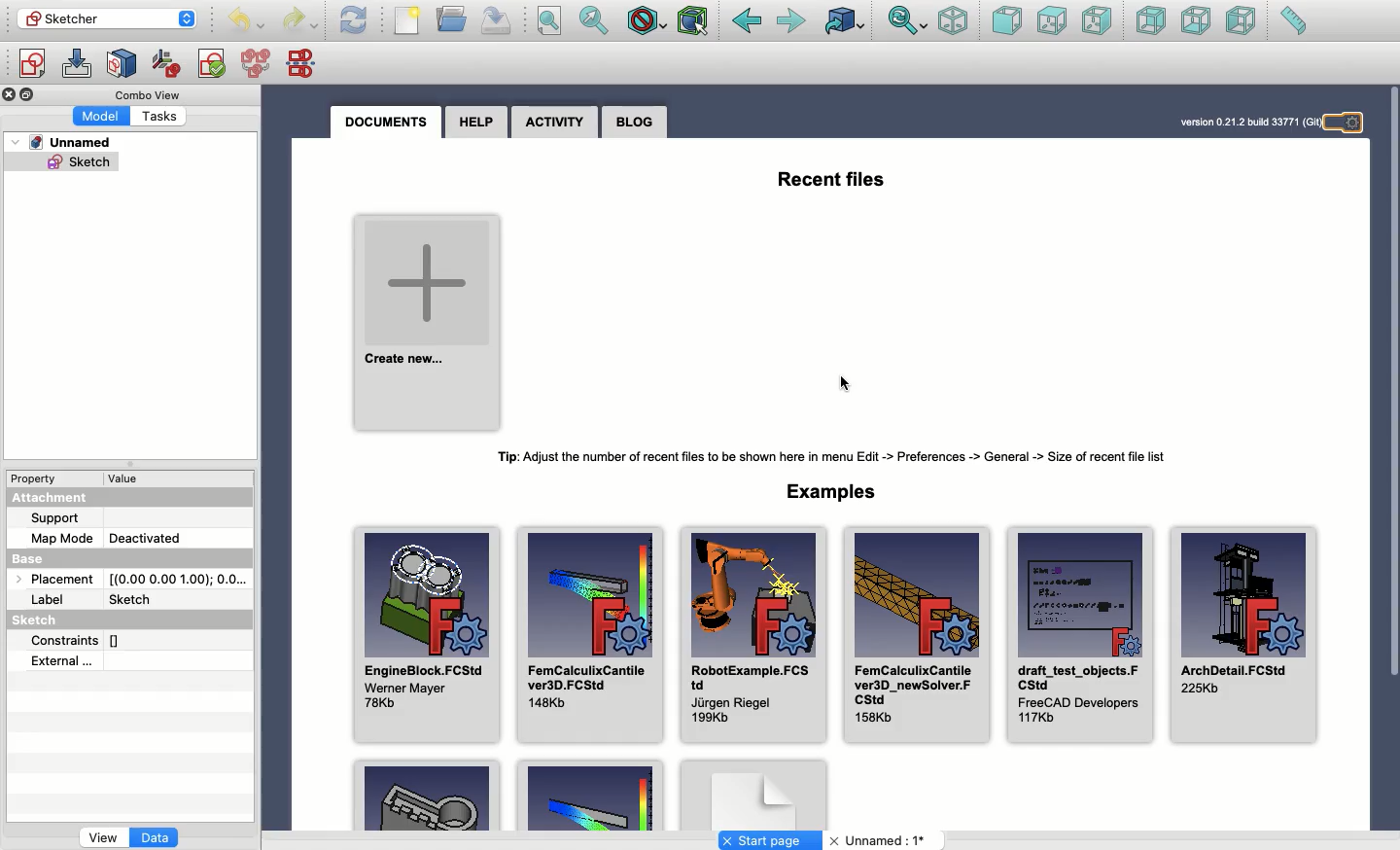 Image resolution: width=1400 pixels, height=850 pixels. Describe the element at coordinates (556, 123) in the screenshot. I see `Activity ` at that location.